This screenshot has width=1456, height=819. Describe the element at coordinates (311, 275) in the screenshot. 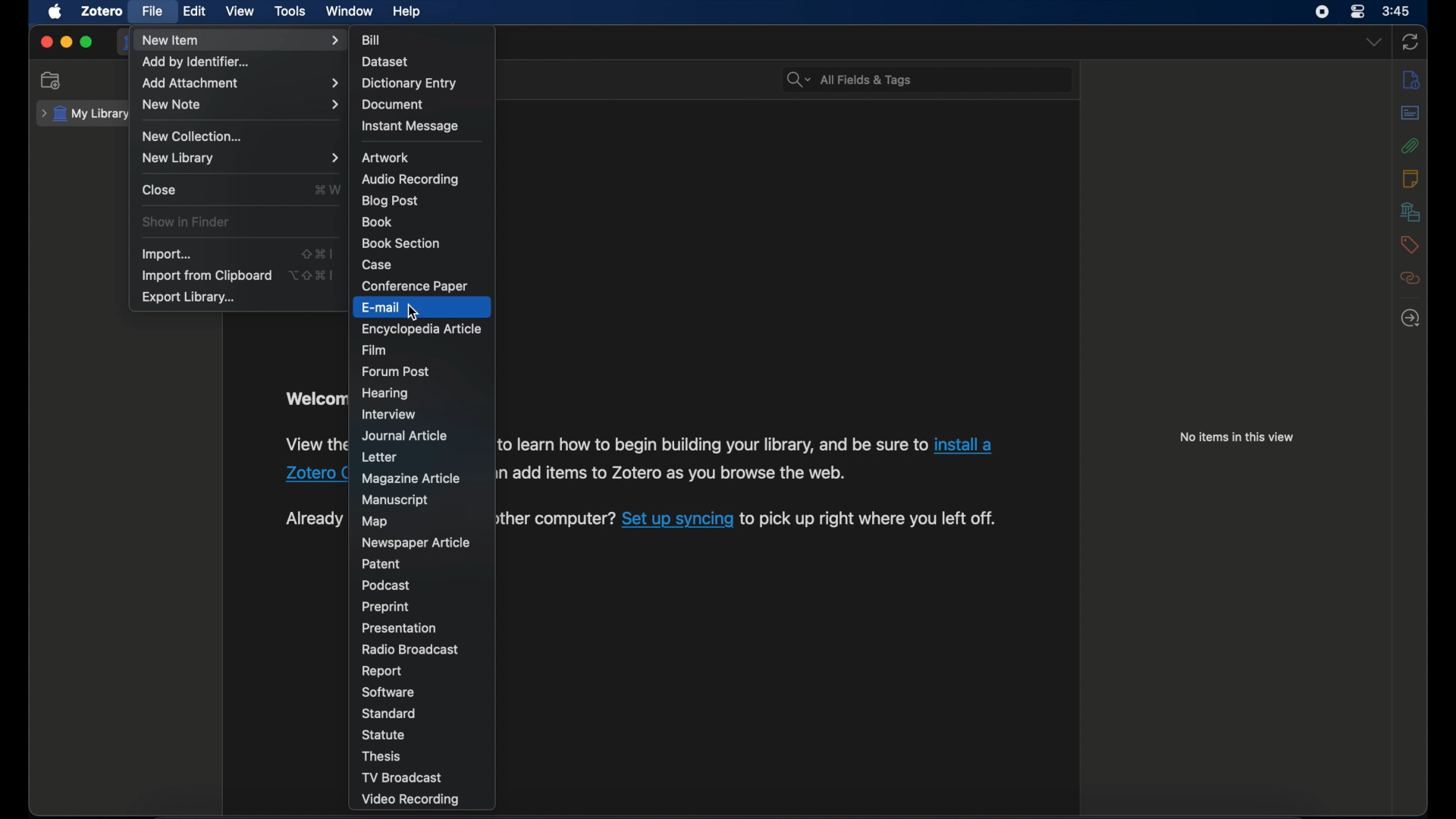

I see `shortcut` at that location.